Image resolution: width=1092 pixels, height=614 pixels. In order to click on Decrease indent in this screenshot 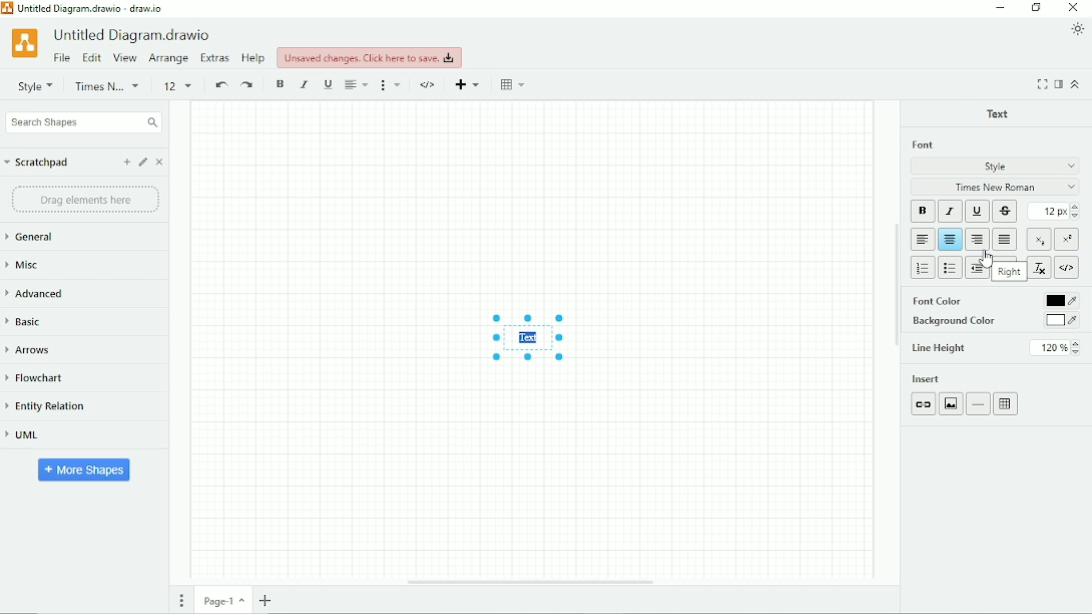, I will do `click(978, 268)`.